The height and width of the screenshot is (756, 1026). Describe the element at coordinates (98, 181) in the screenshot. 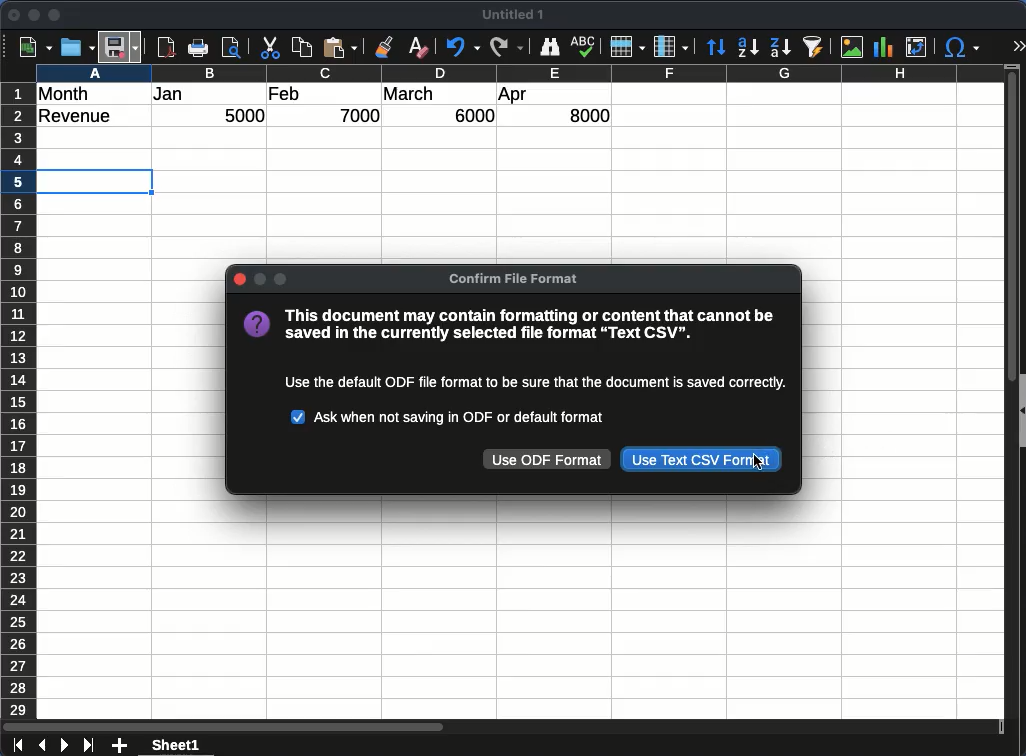

I see `selection` at that location.